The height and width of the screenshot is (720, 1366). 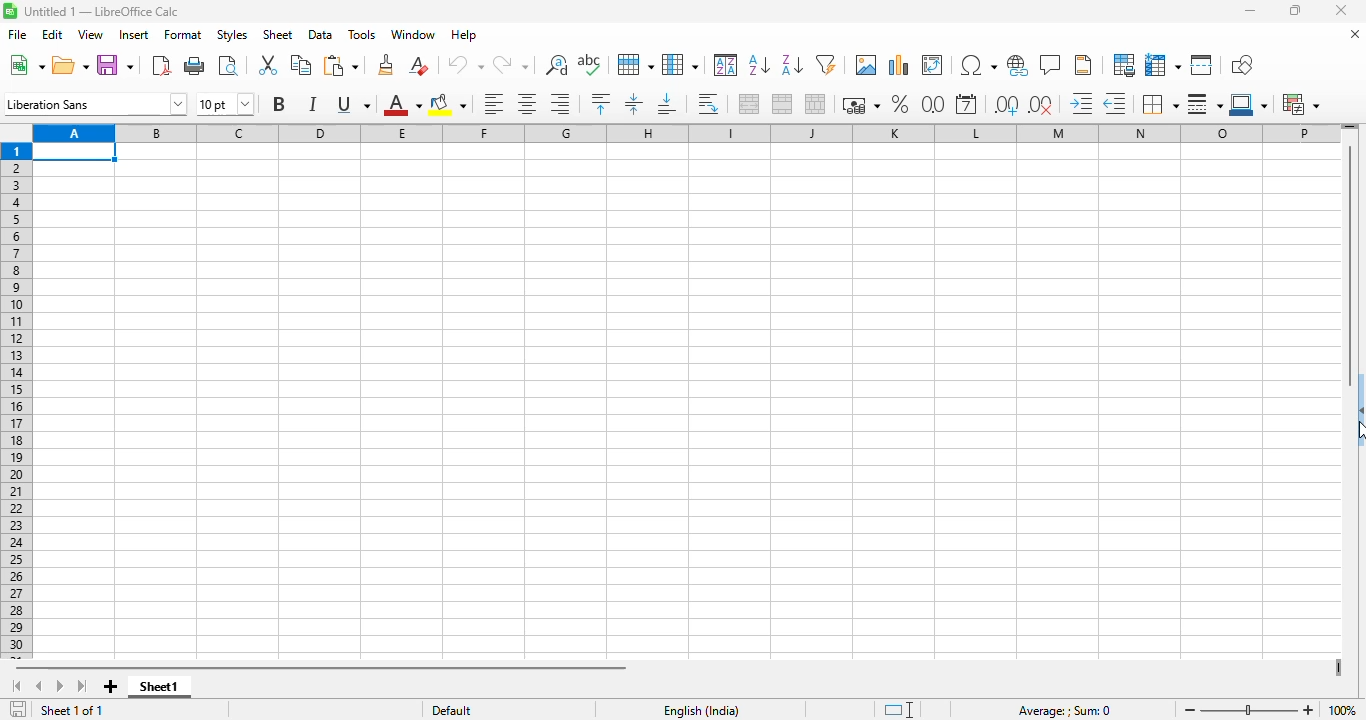 What do you see at coordinates (590, 64) in the screenshot?
I see `spelling` at bounding box center [590, 64].